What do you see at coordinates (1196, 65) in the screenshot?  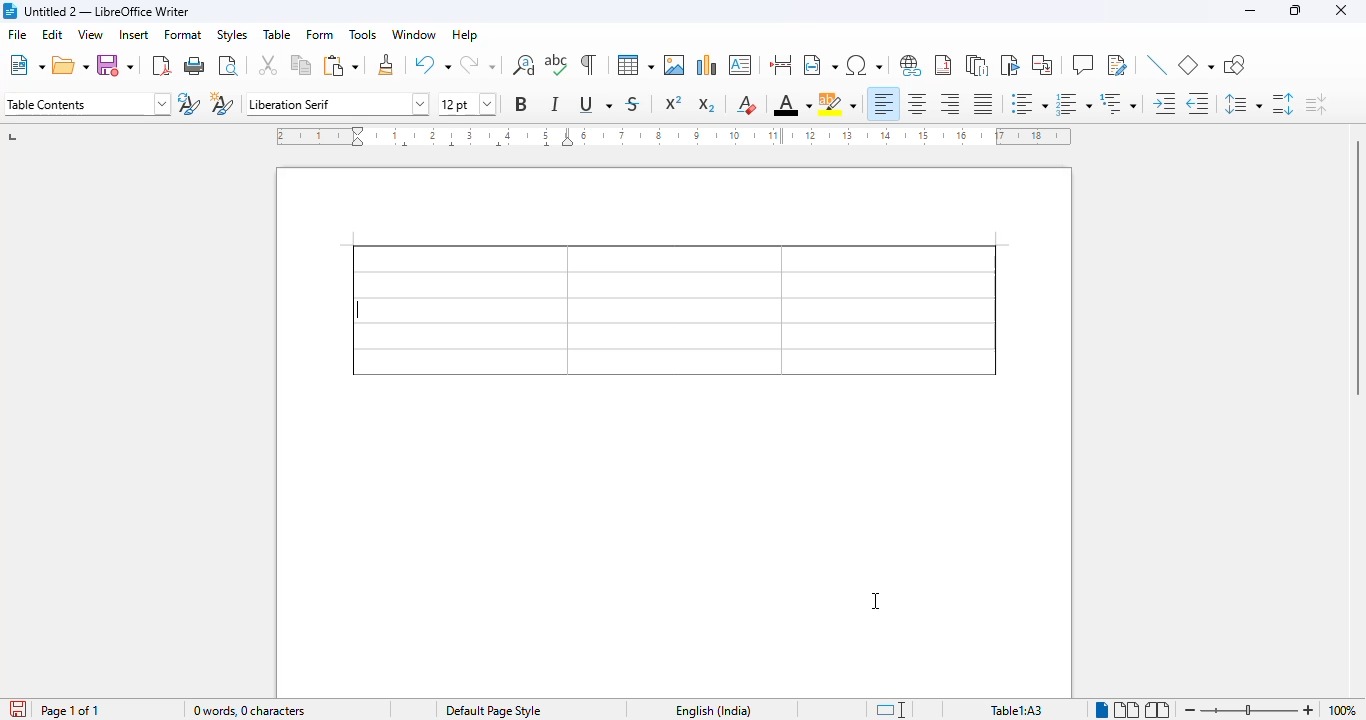 I see `basic shapes` at bounding box center [1196, 65].